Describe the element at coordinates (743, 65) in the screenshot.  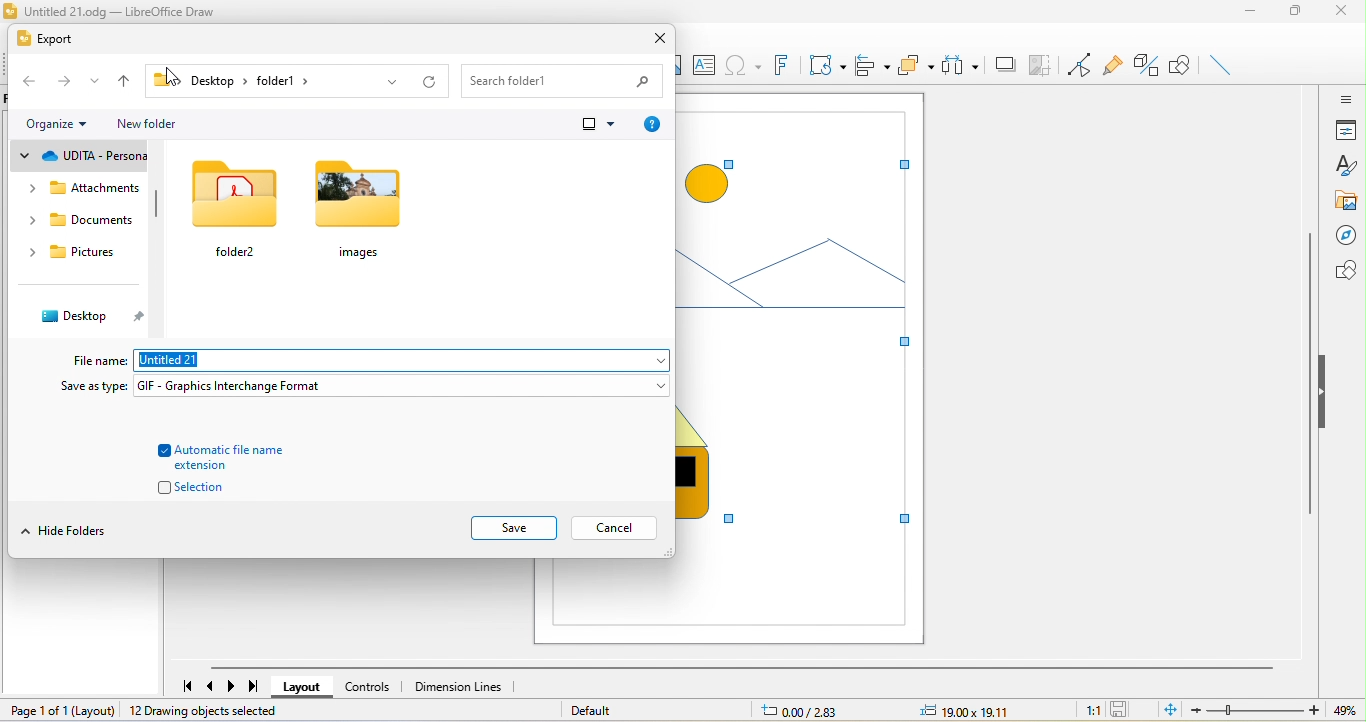
I see `special characters` at that location.